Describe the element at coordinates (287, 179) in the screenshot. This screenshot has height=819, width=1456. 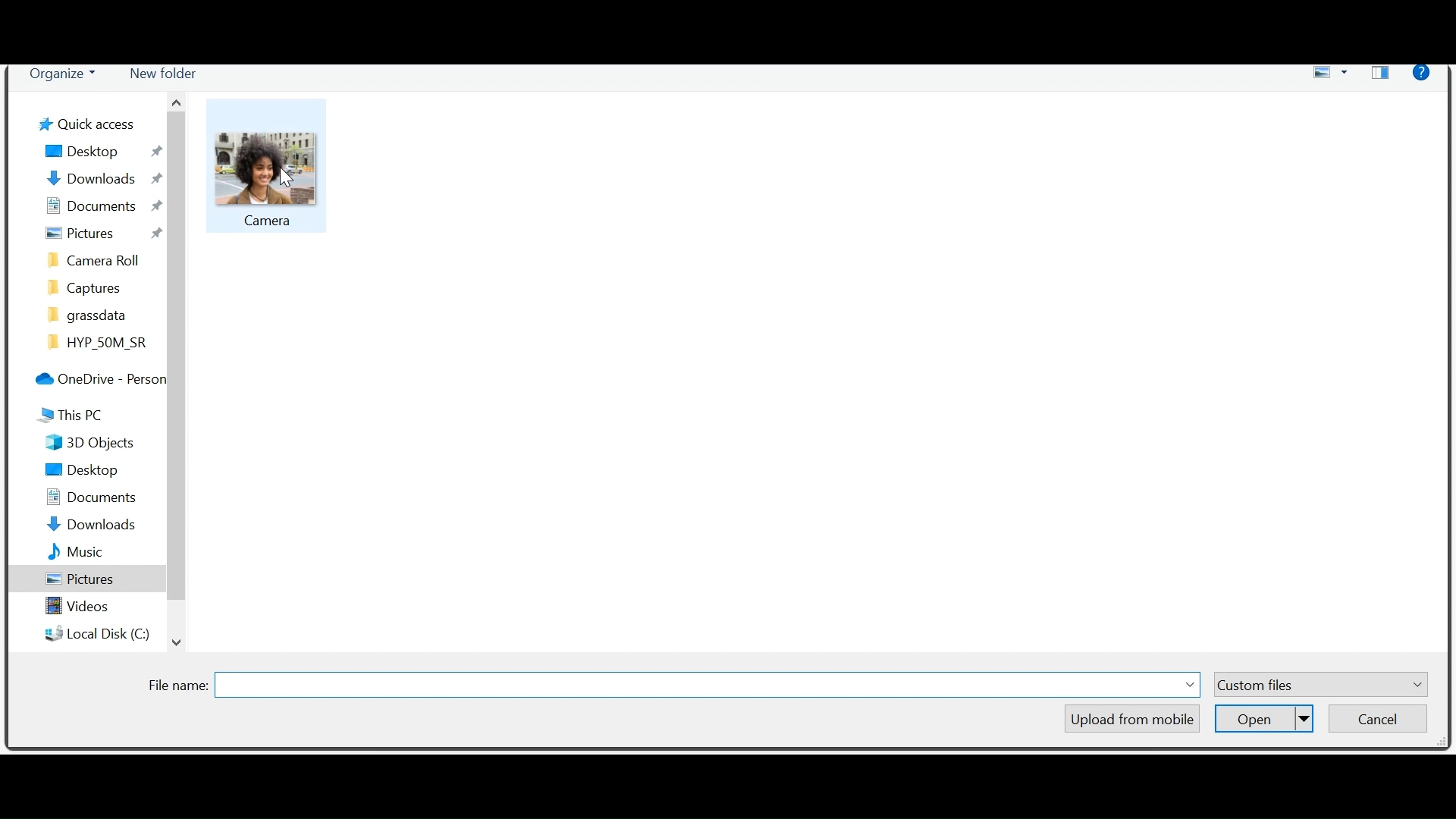
I see `cursor` at that location.